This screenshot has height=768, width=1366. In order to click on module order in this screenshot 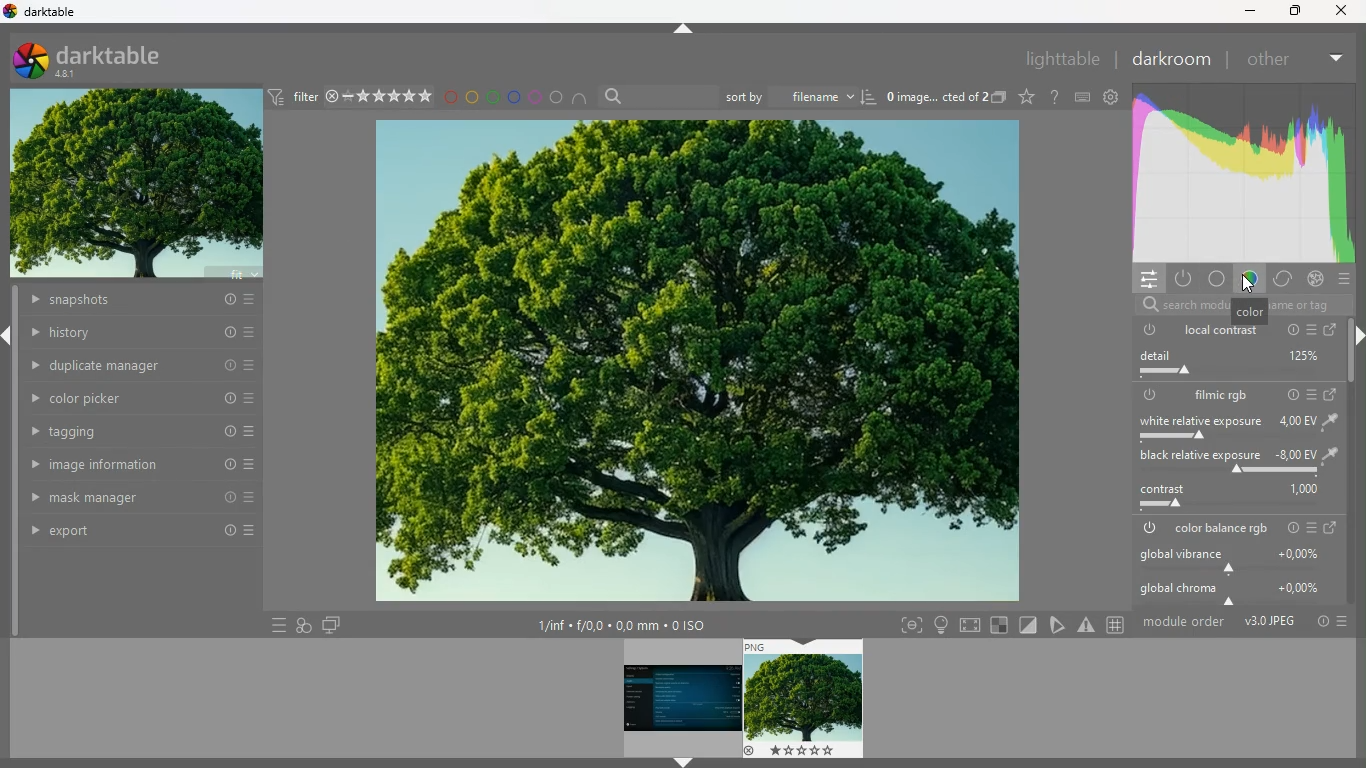, I will do `click(1244, 621)`.